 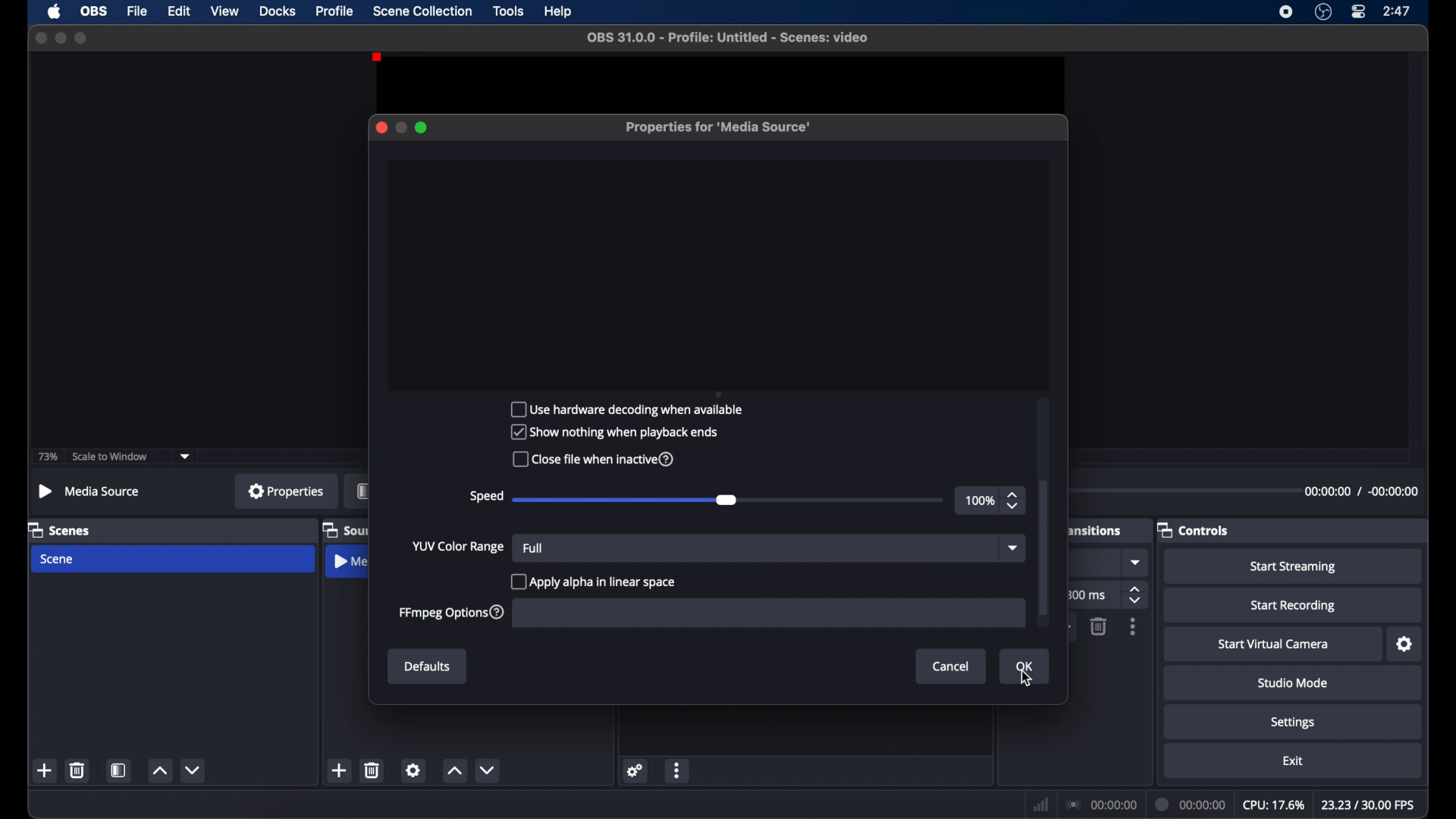 What do you see at coordinates (1046, 547) in the screenshot?
I see `scroll box` at bounding box center [1046, 547].